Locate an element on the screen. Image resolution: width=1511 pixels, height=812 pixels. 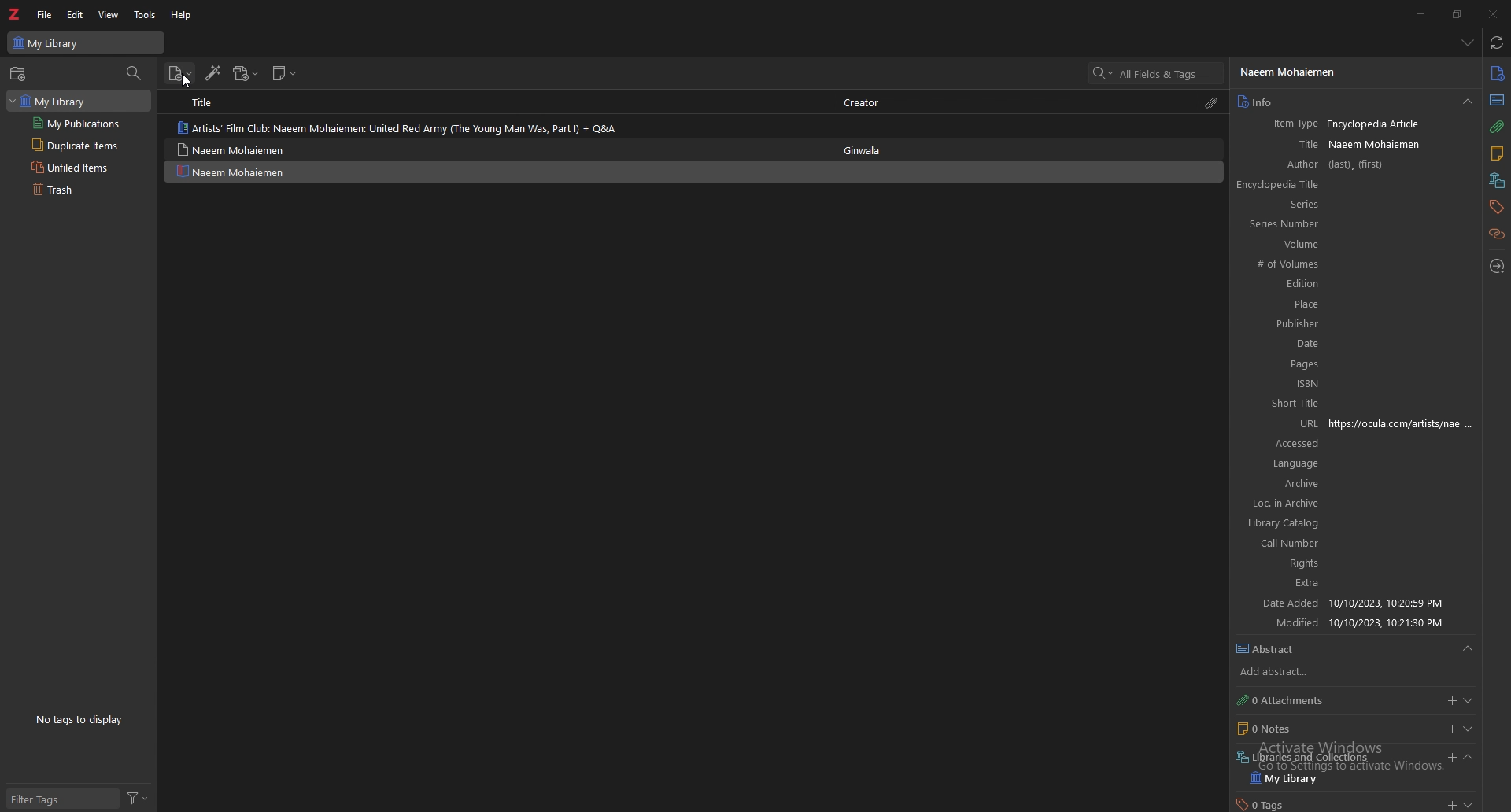
minimize is located at coordinates (1422, 13).